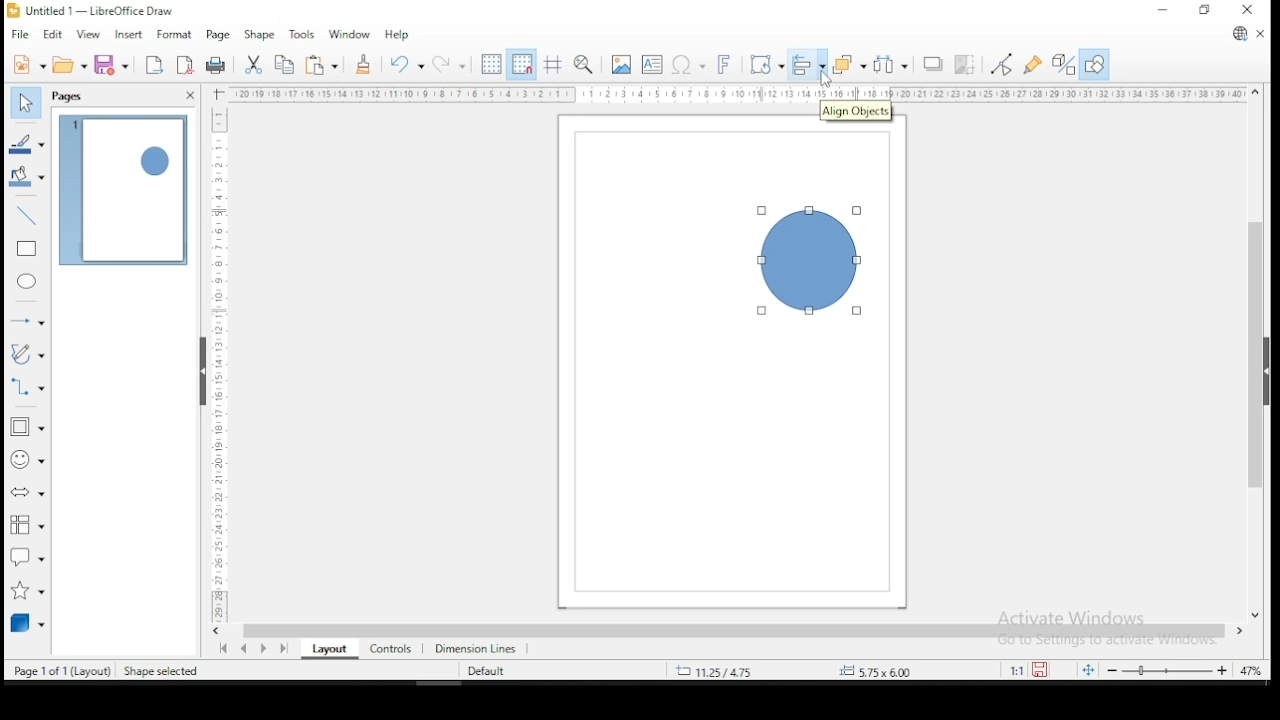 This screenshot has width=1280, height=720. Describe the element at coordinates (25, 385) in the screenshot. I see `connectors` at that location.